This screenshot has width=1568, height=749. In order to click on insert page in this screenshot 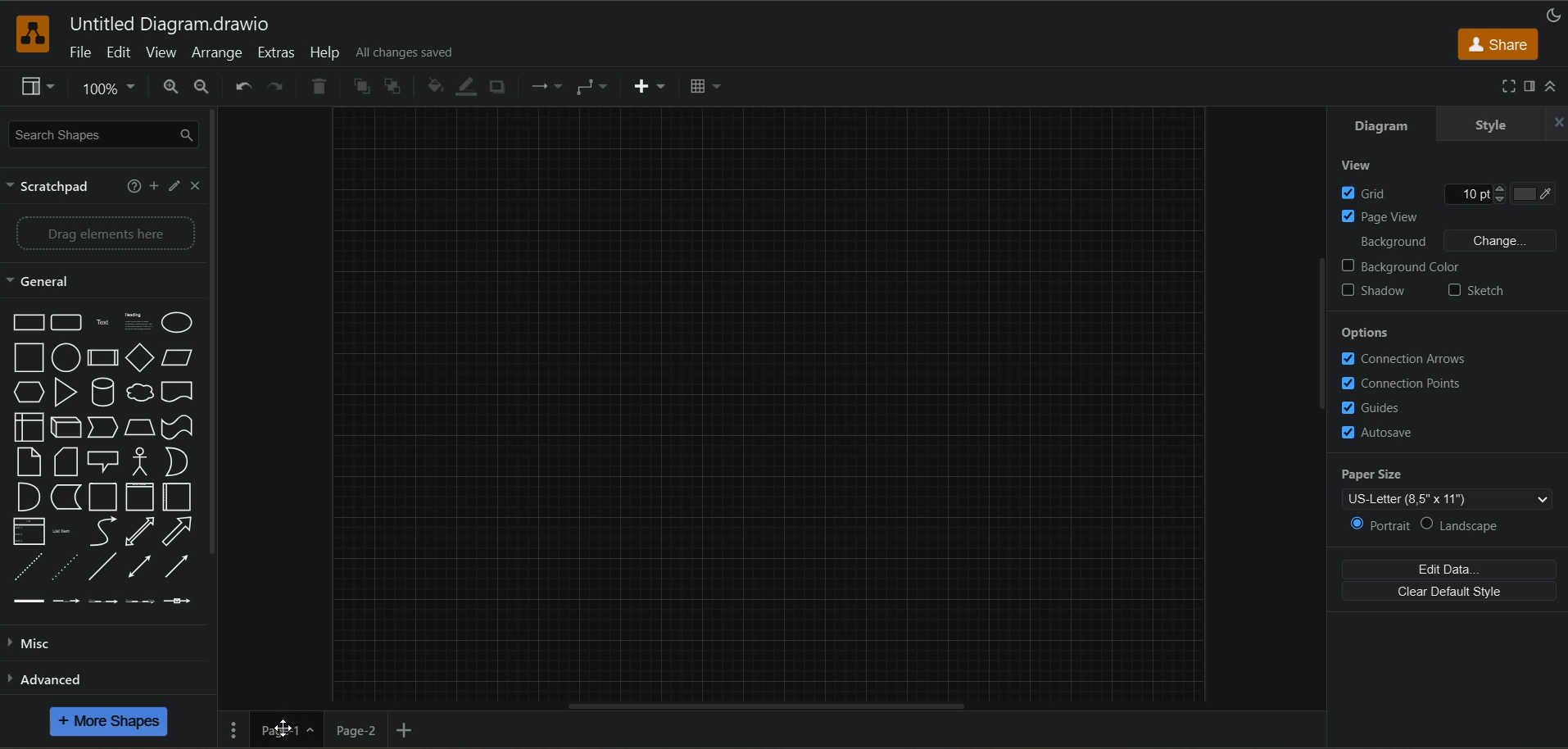, I will do `click(405, 729)`.